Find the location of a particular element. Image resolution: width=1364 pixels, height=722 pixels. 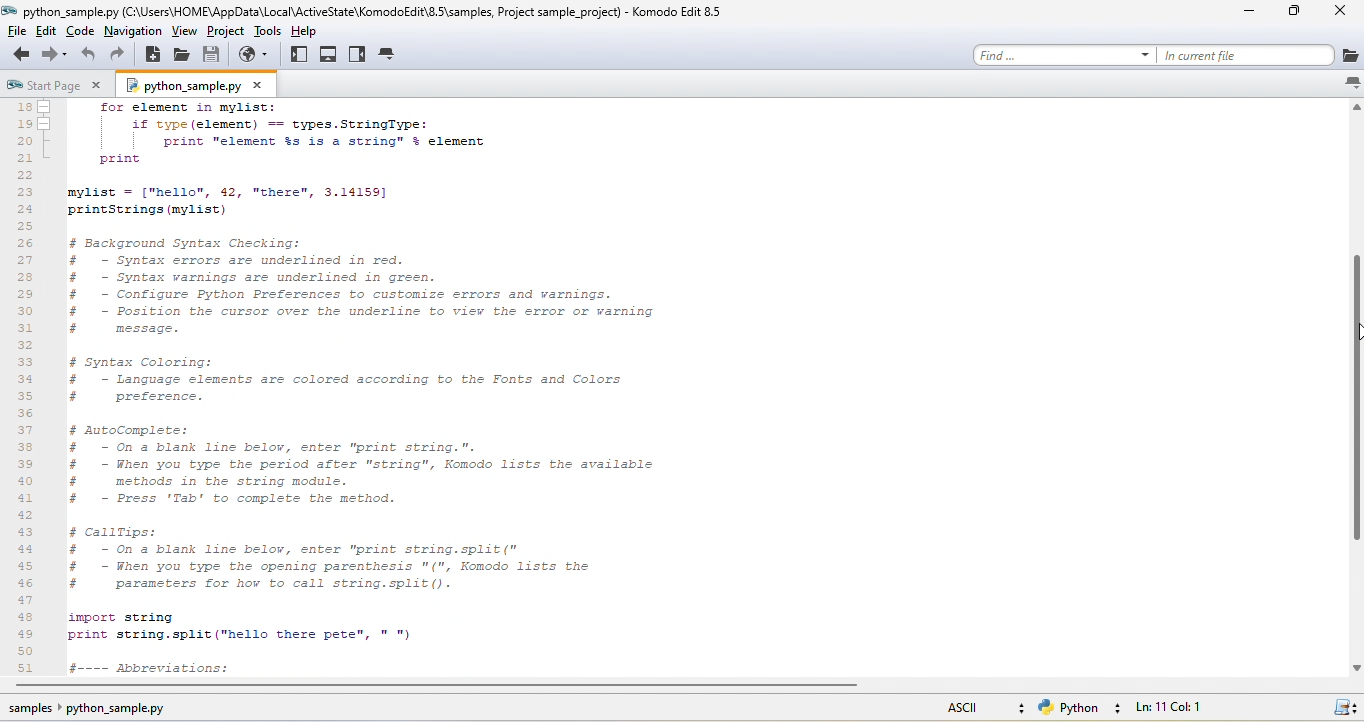

vertical scroll bar moved is located at coordinates (1355, 398).